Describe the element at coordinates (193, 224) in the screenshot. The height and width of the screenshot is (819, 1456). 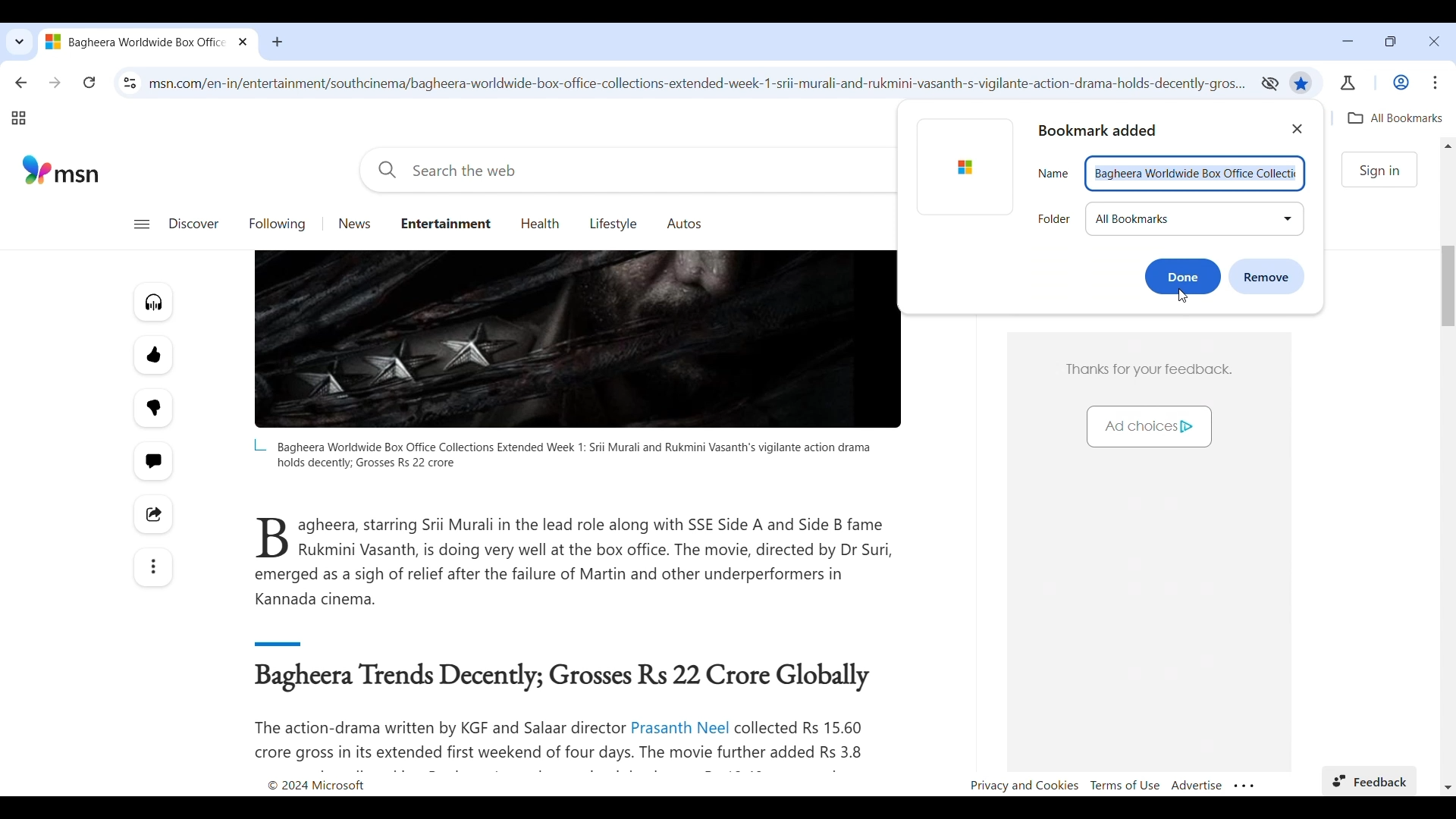
I see `Go to discover page` at that location.